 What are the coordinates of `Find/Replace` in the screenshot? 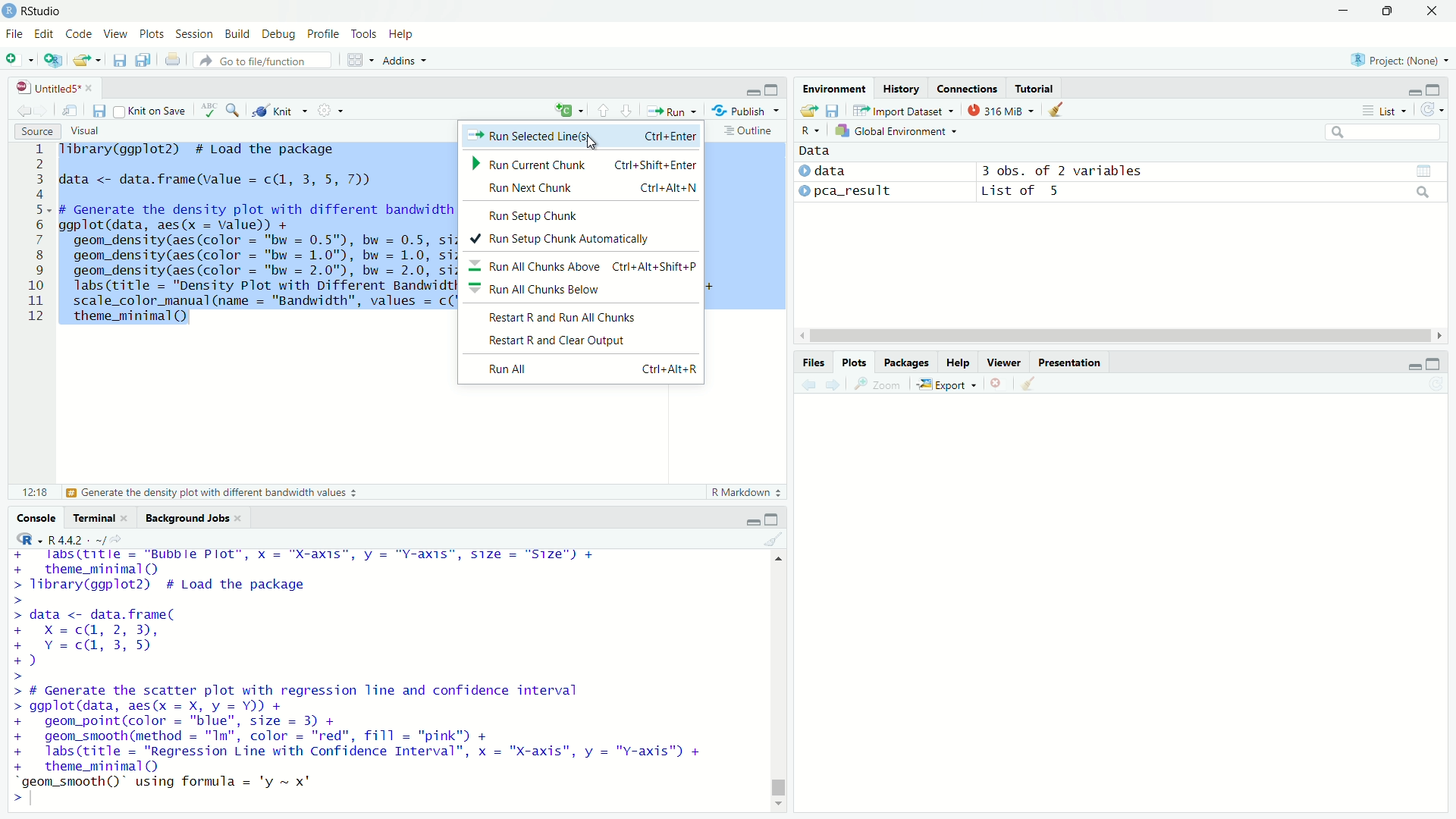 It's located at (233, 109).